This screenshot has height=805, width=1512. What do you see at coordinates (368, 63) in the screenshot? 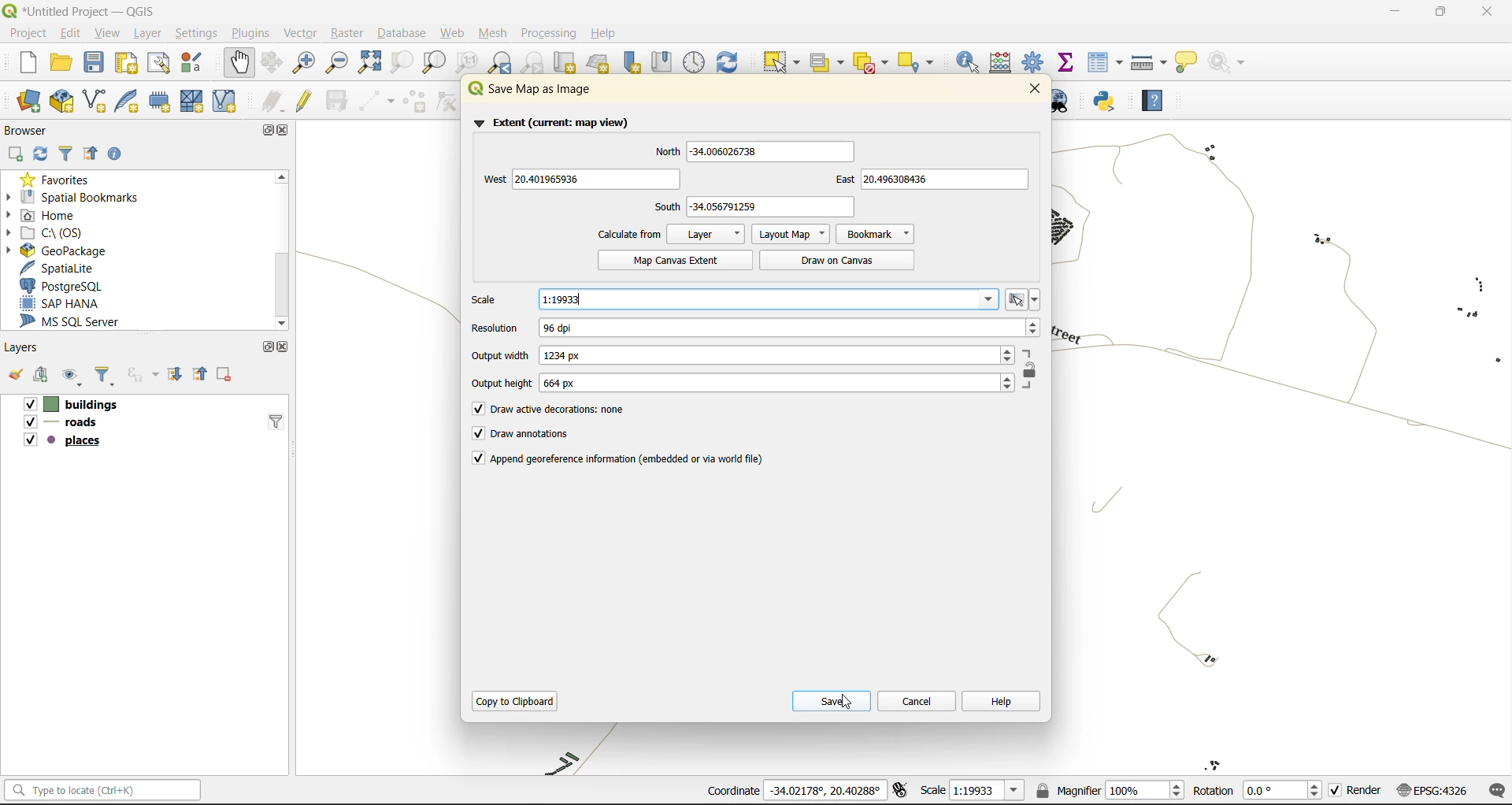
I see `zoom full` at bounding box center [368, 63].